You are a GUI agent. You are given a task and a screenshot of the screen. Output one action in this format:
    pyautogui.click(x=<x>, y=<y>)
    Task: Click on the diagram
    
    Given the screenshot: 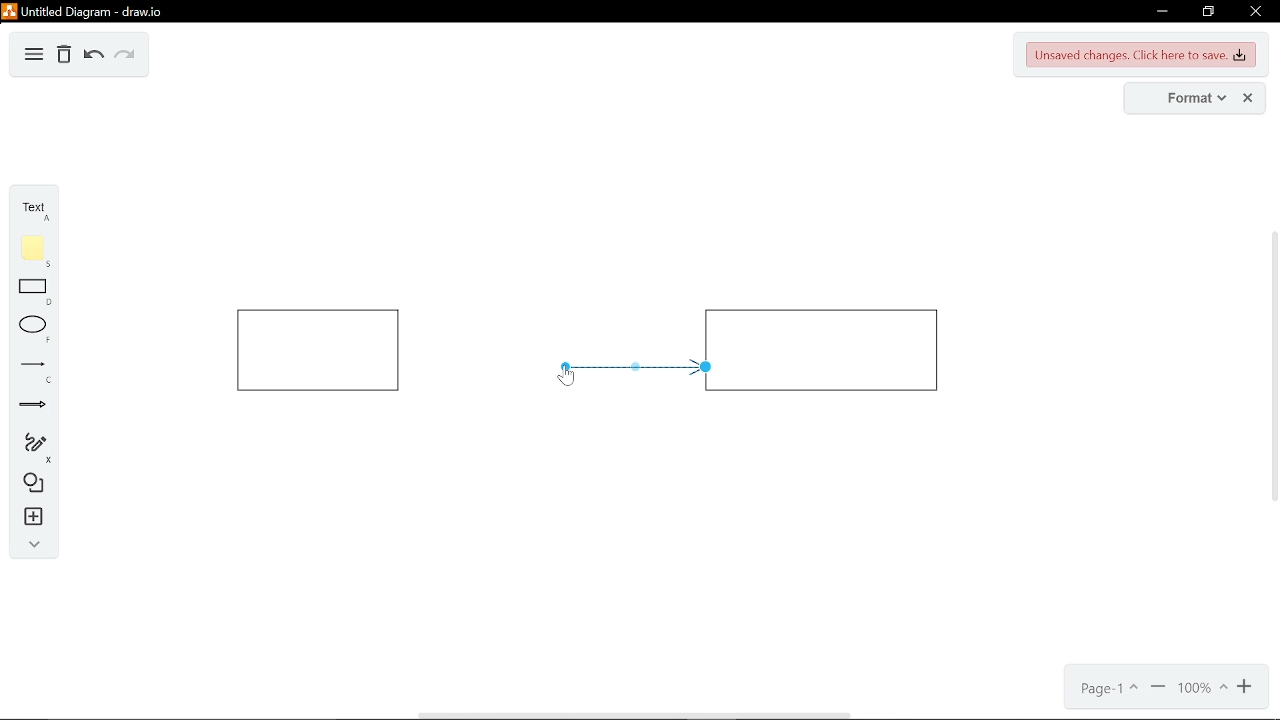 What is the action you would take?
    pyautogui.click(x=34, y=55)
    